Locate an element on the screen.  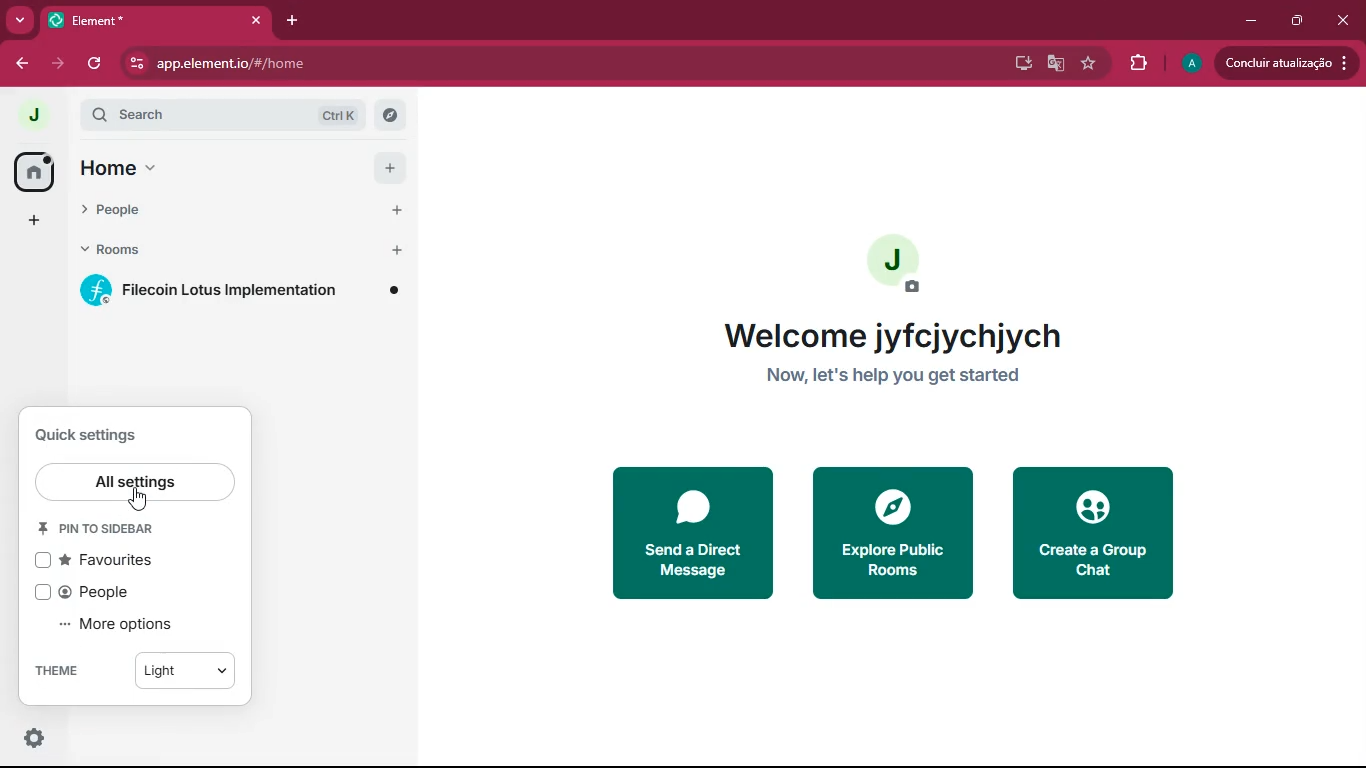
create a group chat is located at coordinates (1095, 533).